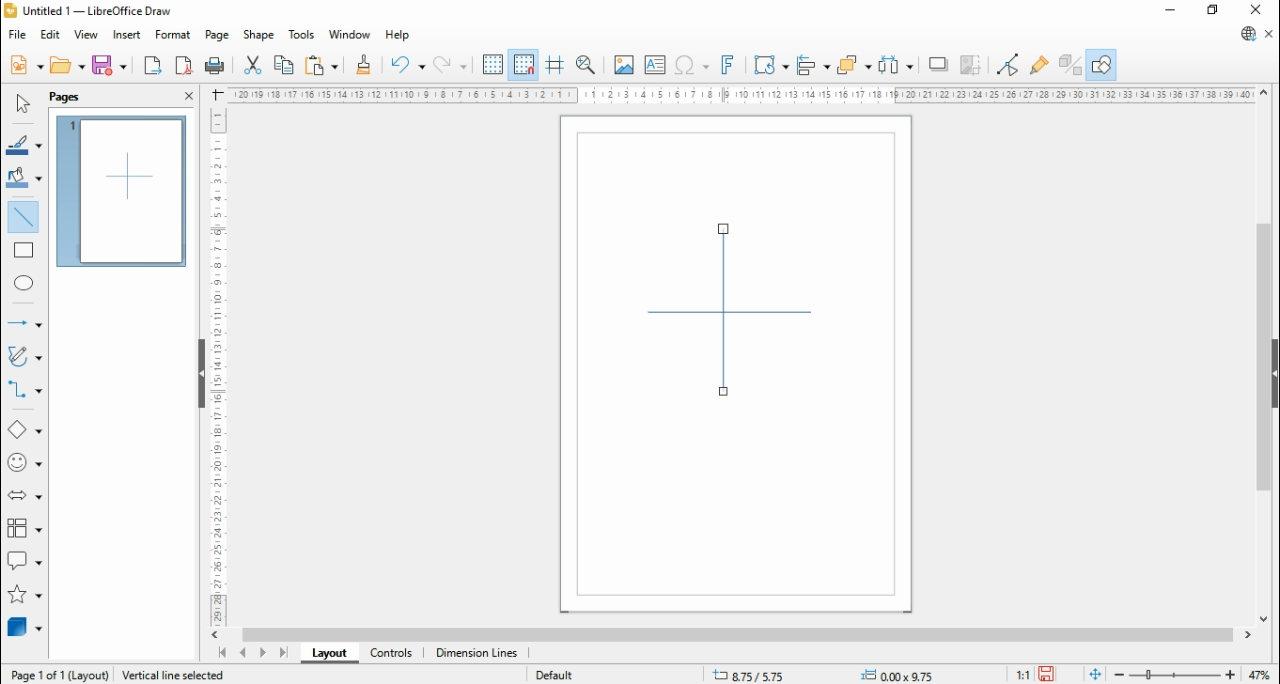 The height and width of the screenshot is (684, 1280). Describe the element at coordinates (185, 66) in the screenshot. I see `export as pdf` at that location.